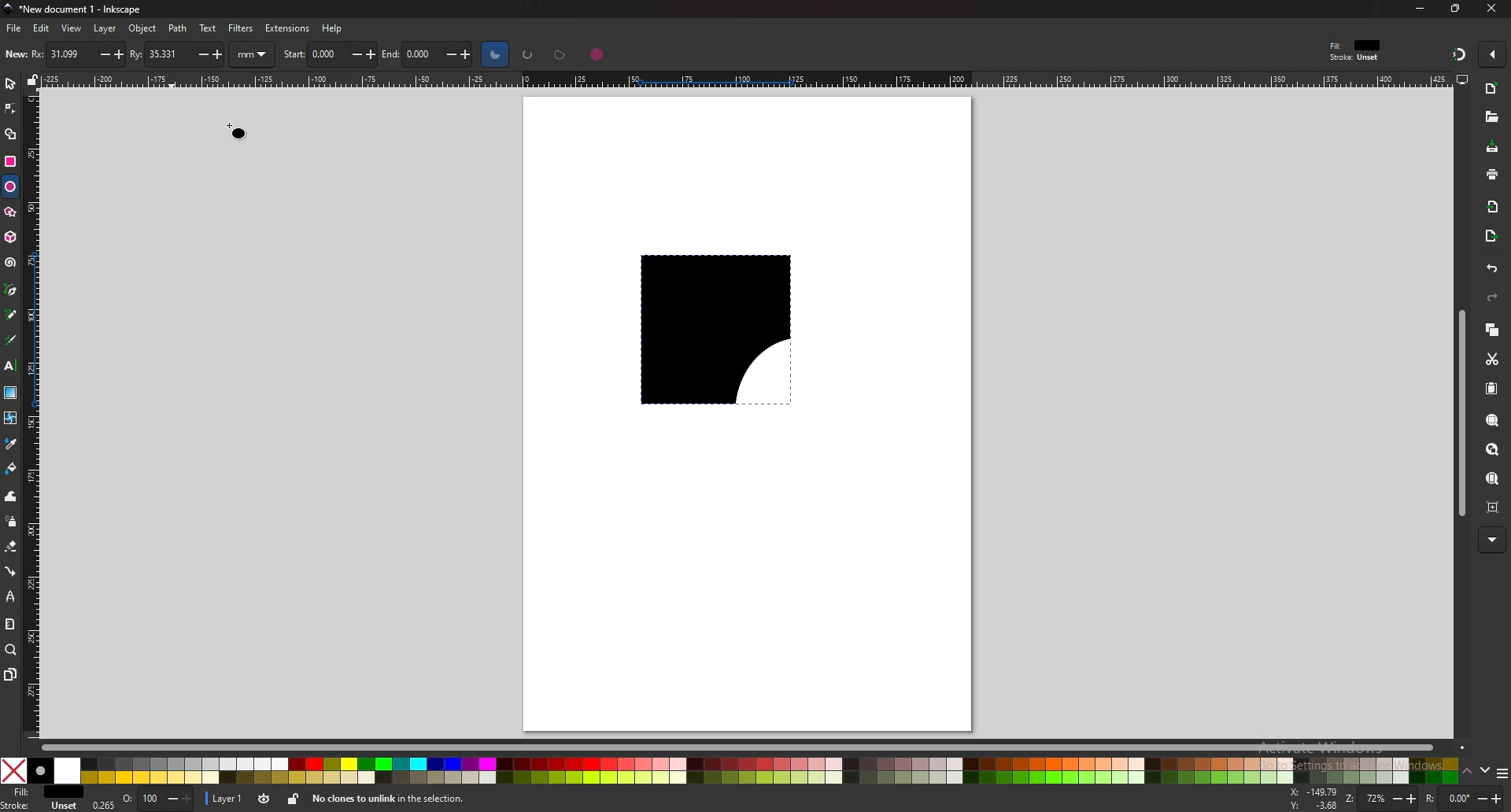 This screenshot has height=812, width=1511. Describe the element at coordinates (10, 82) in the screenshot. I see `select` at that location.